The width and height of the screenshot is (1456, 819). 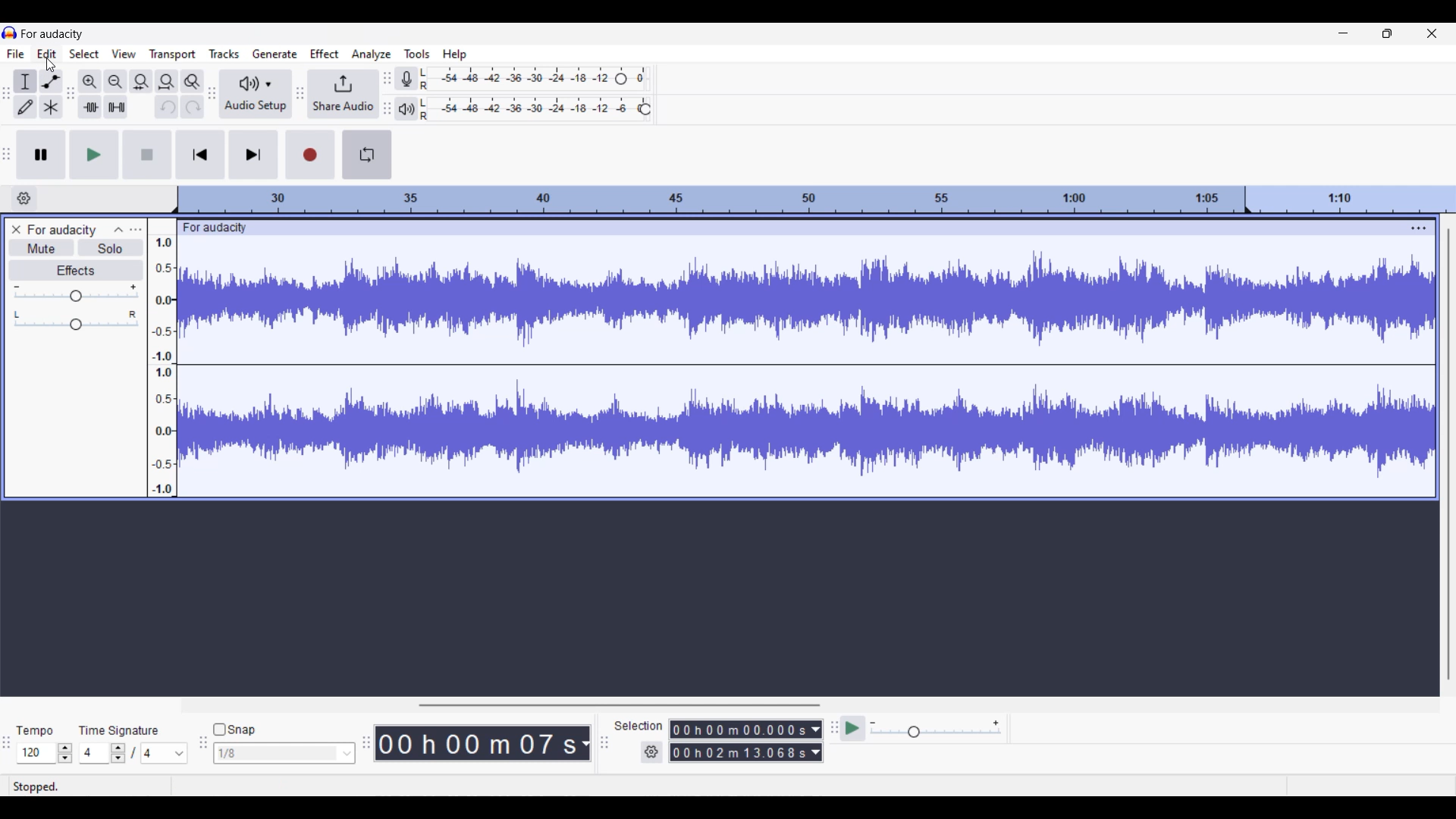 I want to click on Mute, so click(x=41, y=248).